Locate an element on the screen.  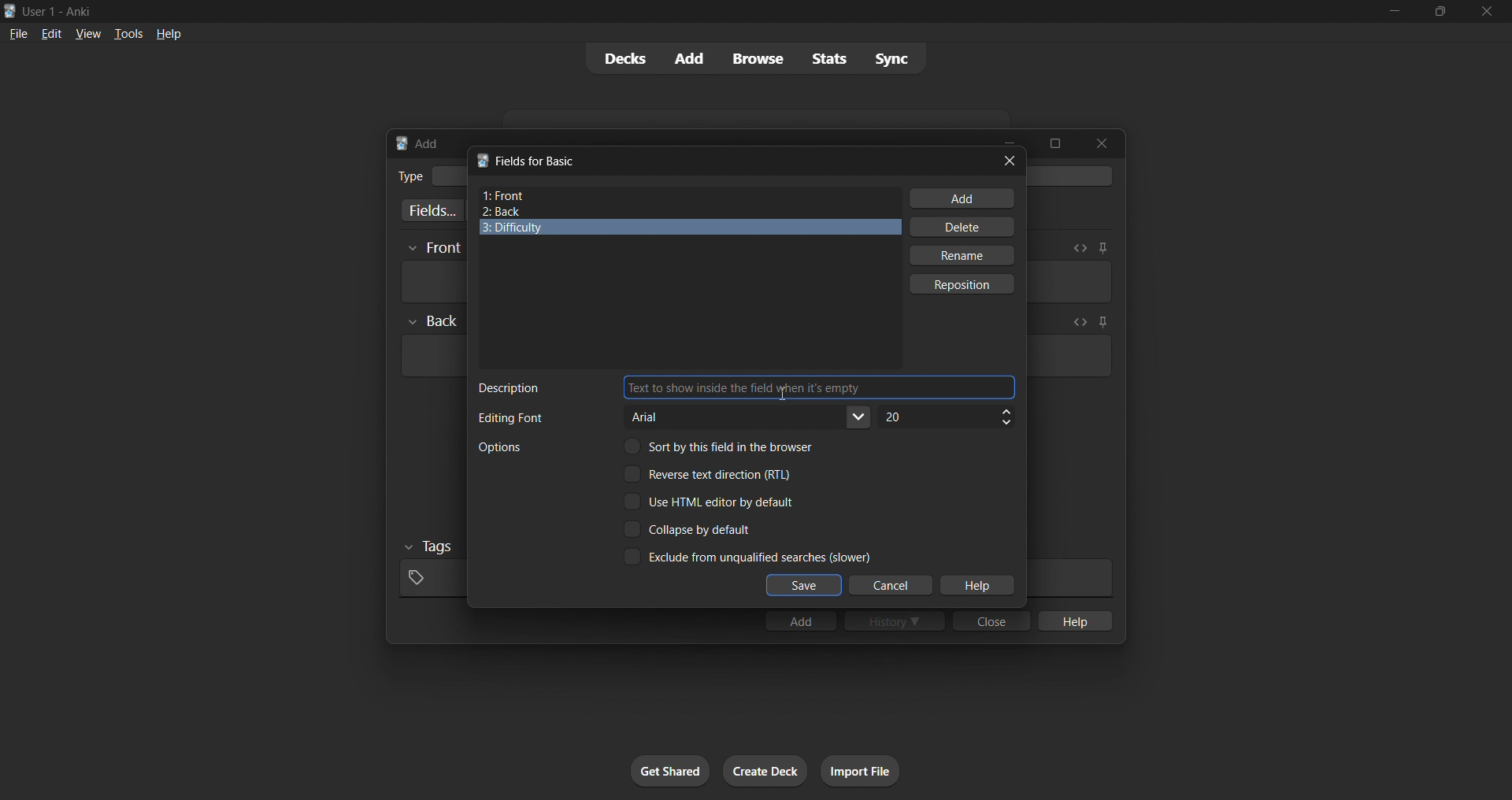
view is located at coordinates (88, 33).